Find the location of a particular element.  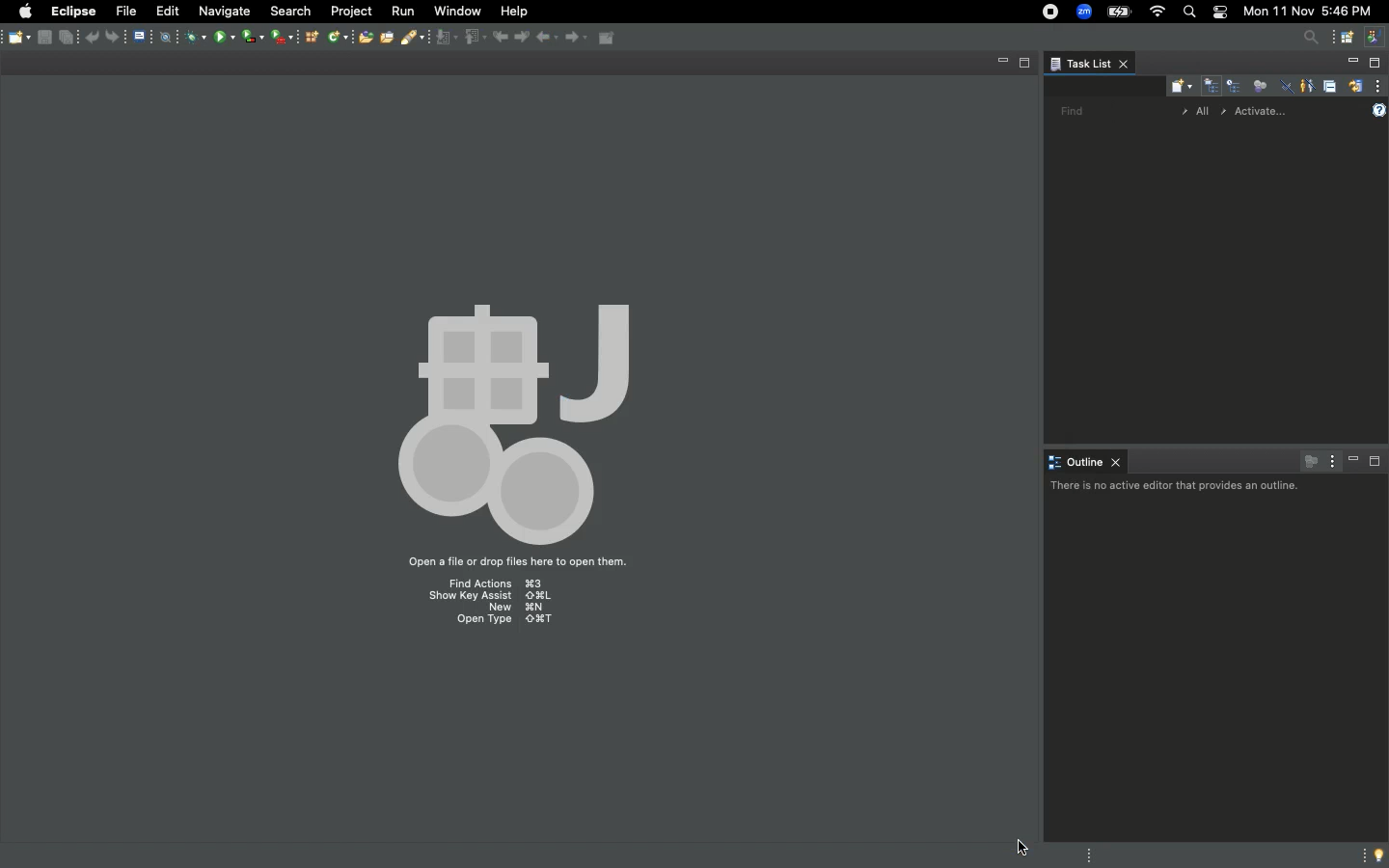

maximize is located at coordinates (1027, 67).